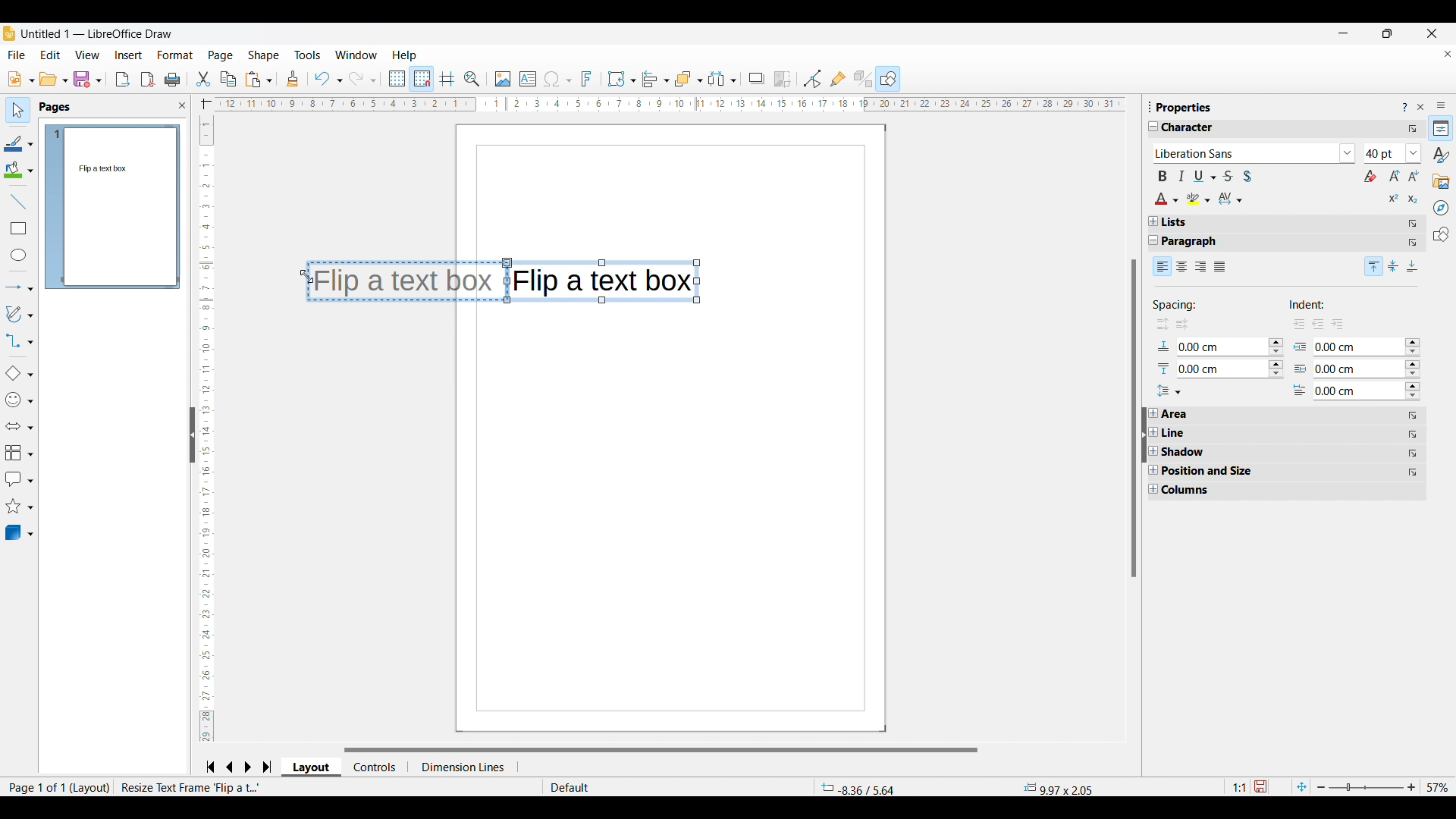  Describe the element at coordinates (259, 80) in the screenshot. I see `Paste` at that location.